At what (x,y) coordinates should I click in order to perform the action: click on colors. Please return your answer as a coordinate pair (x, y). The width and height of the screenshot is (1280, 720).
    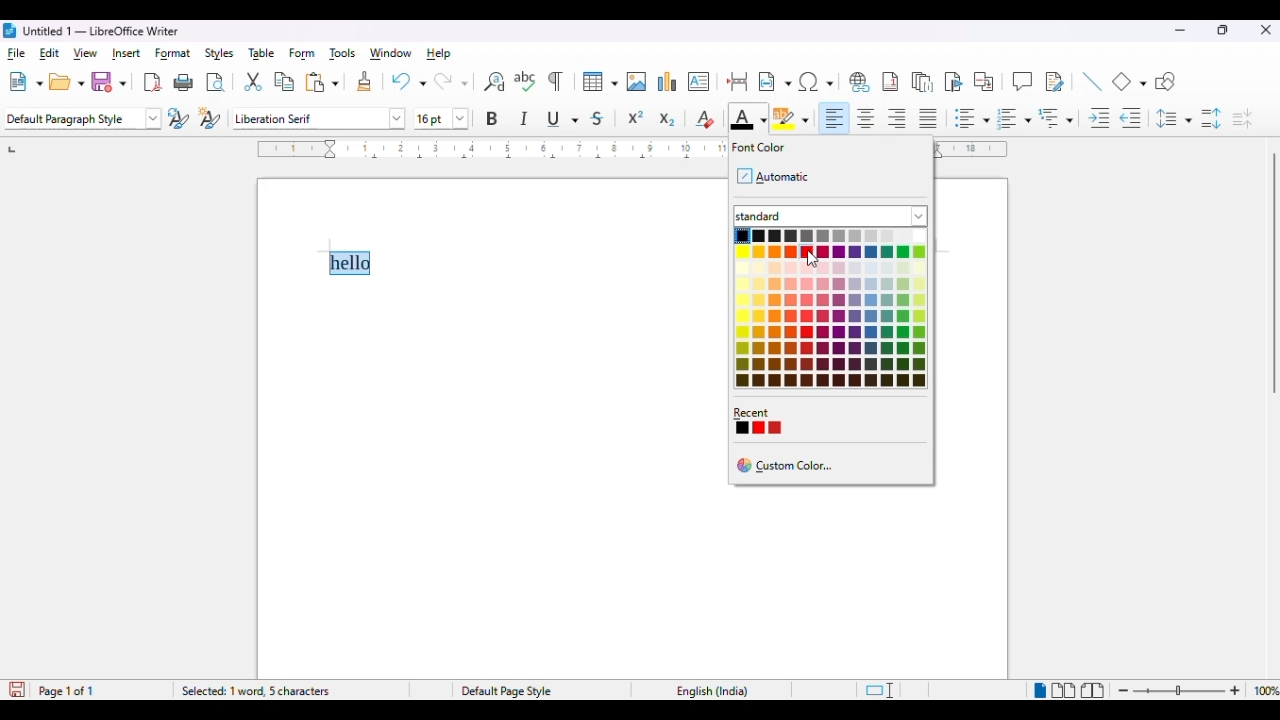
    Looking at the image, I should click on (832, 309).